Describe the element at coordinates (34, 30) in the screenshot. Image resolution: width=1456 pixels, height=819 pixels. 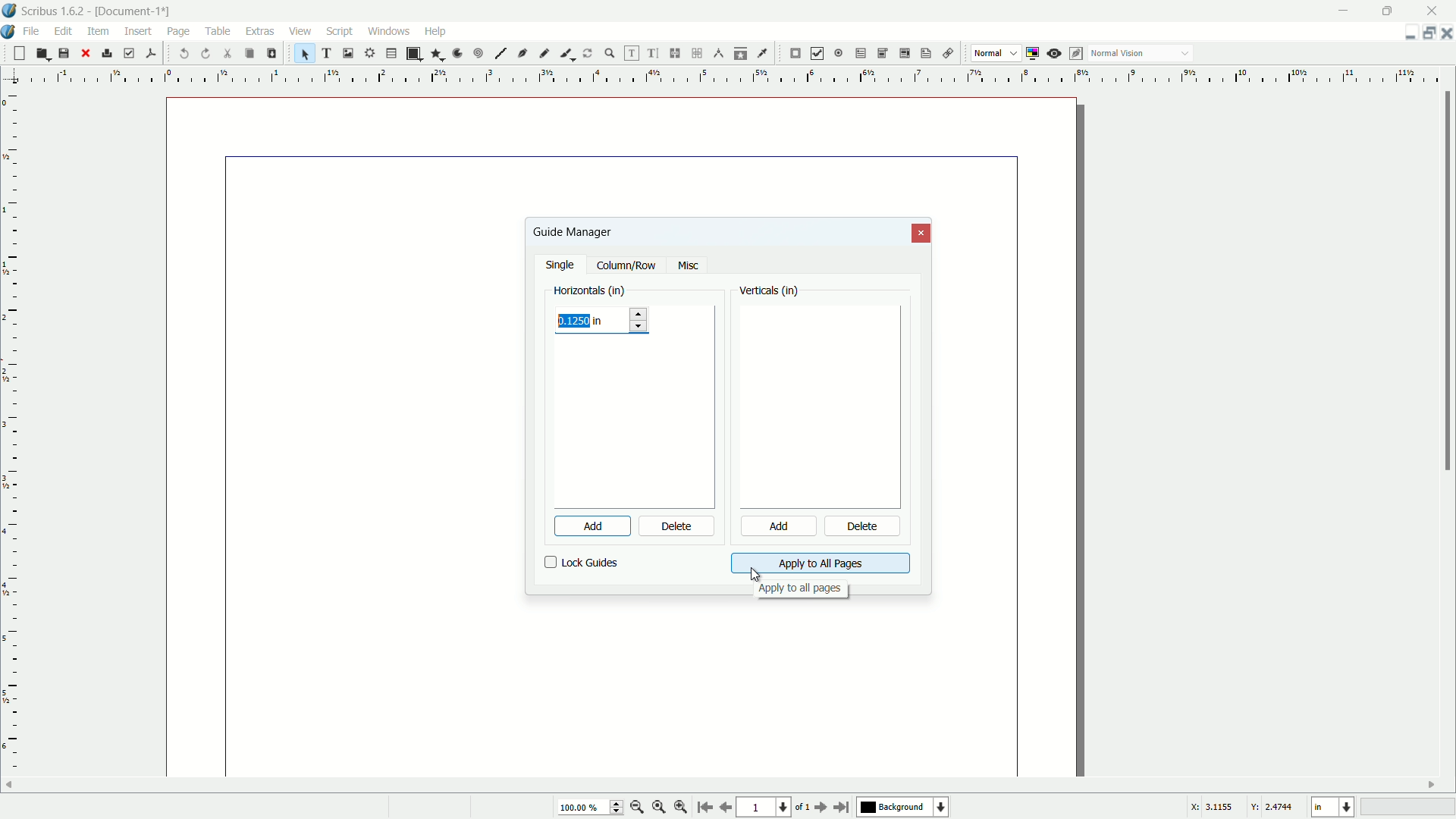
I see `file menu` at that location.